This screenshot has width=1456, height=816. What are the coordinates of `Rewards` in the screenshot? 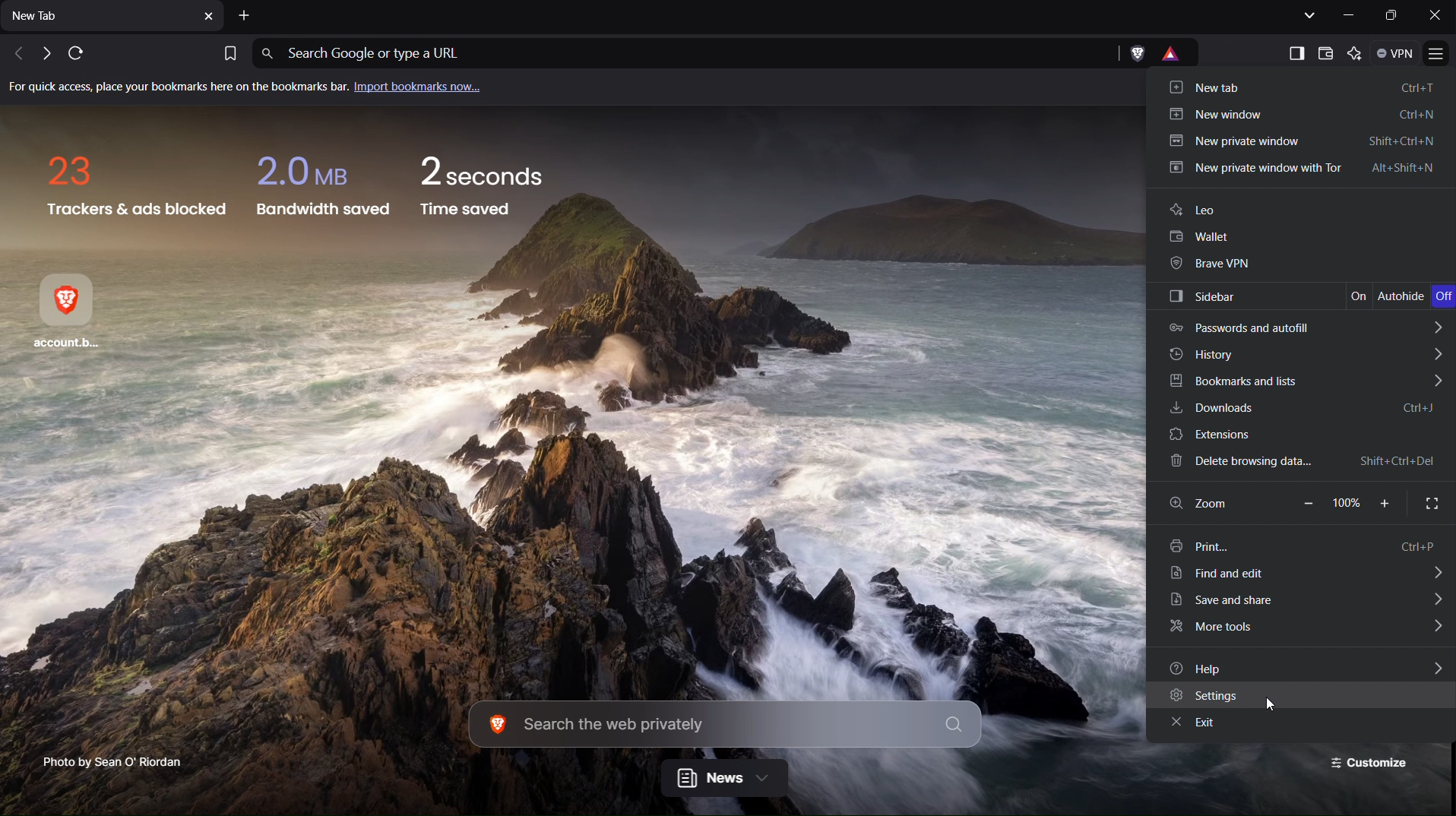 It's located at (1179, 54).